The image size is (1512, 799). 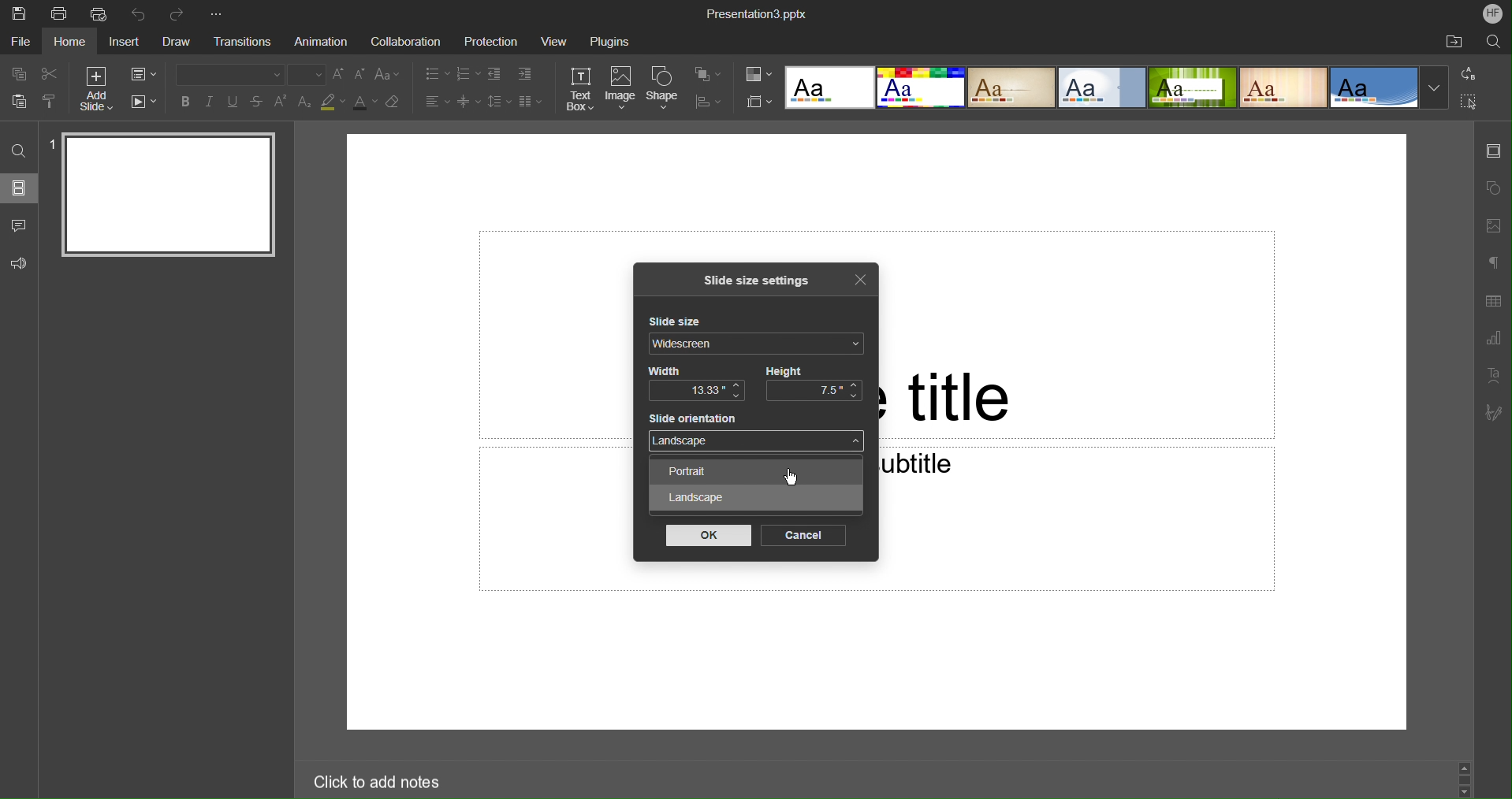 I want to click on Superscript, so click(x=281, y=102).